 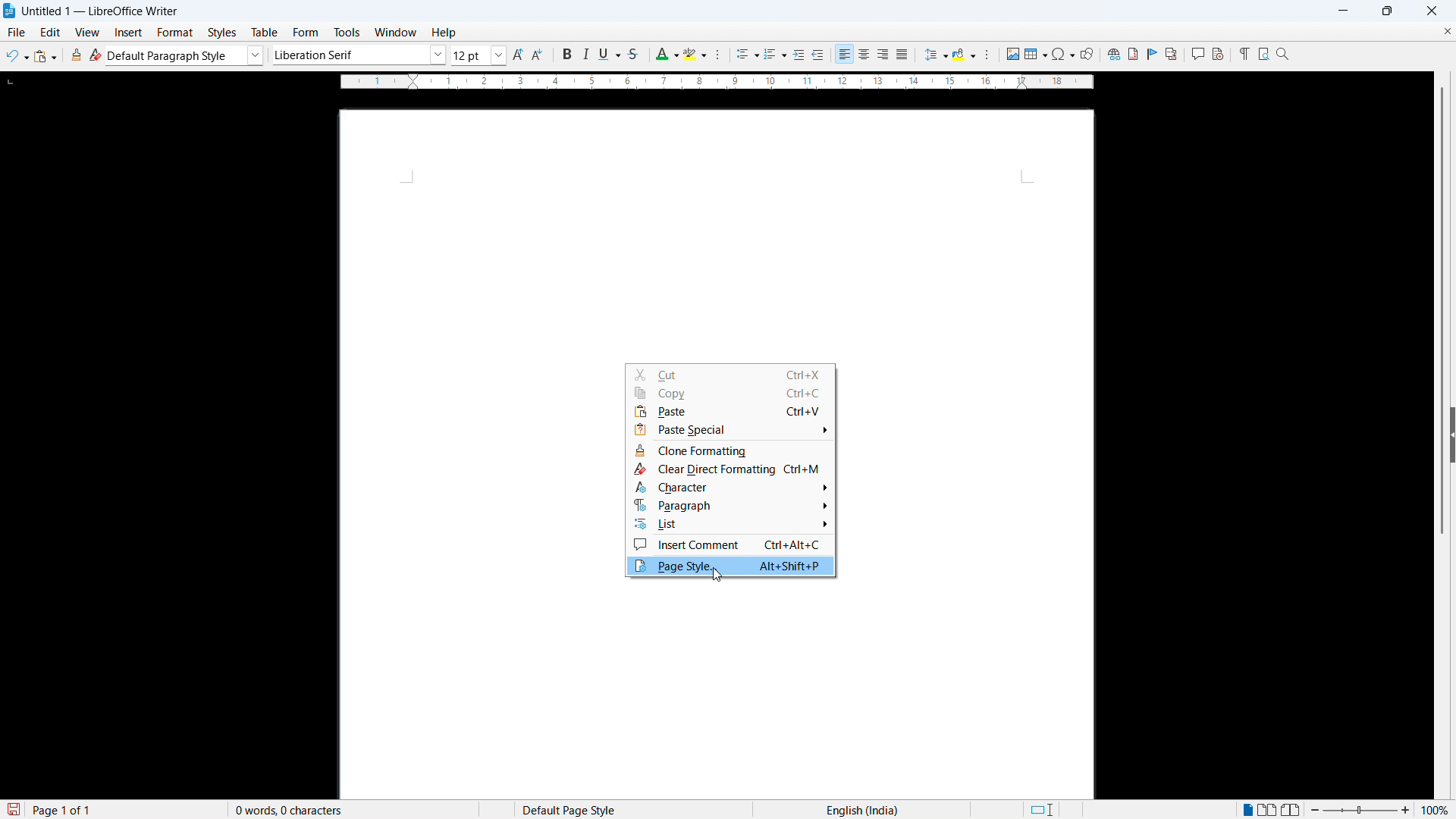 I want to click on Insert cross reference , so click(x=1172, y=54).